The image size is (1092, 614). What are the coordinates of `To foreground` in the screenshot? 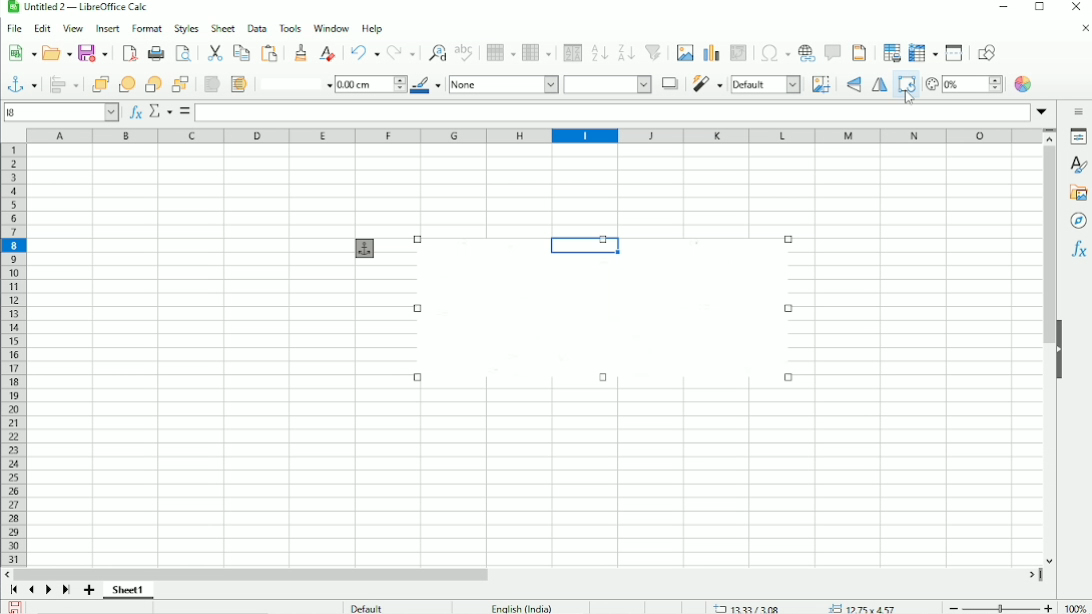 It's located at (212, 84).